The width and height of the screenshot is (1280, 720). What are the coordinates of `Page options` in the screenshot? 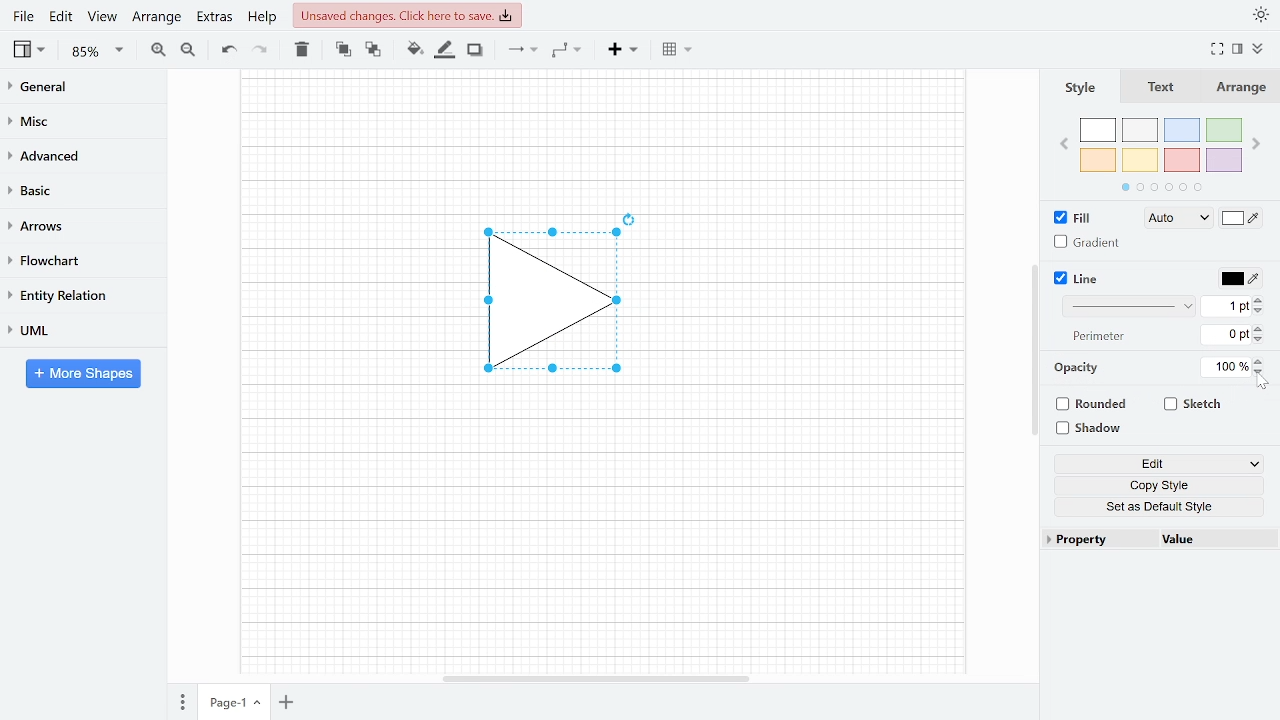 It's located at (260, 705).